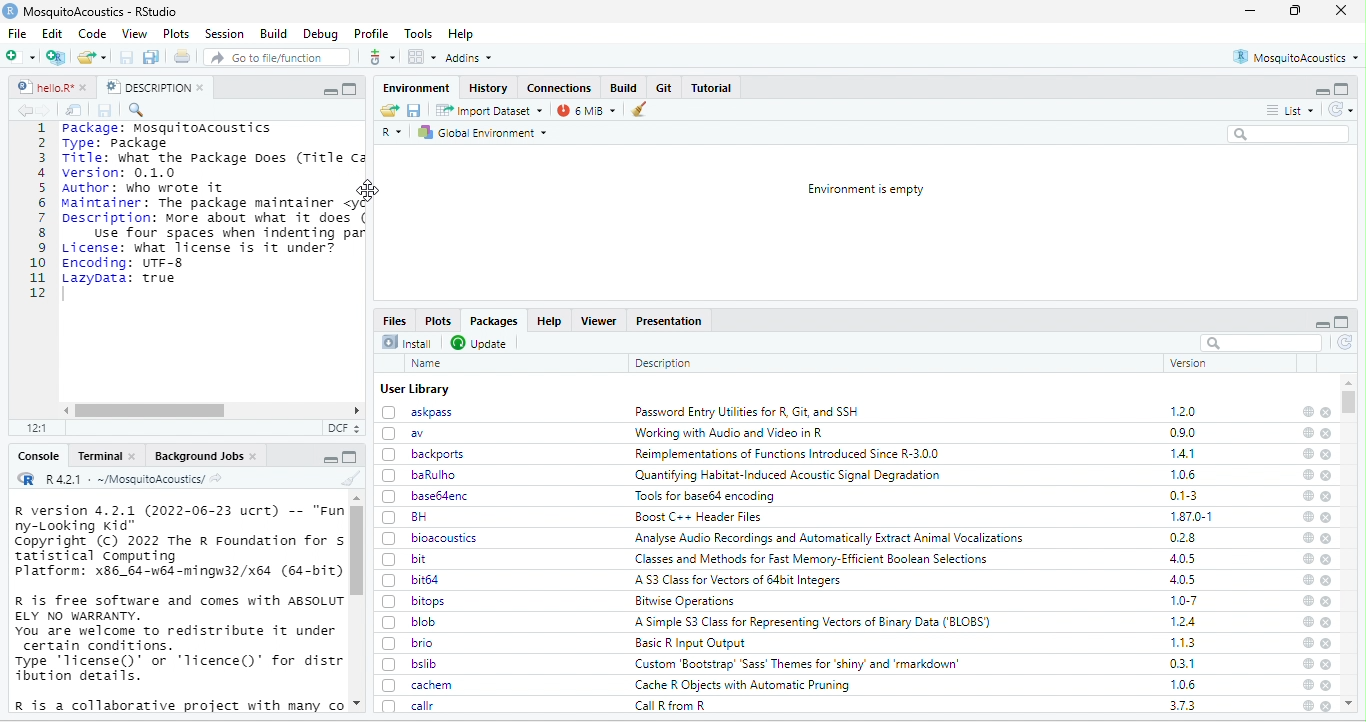 Image resolution: width=1366 pixels, height=722 pixels. I want to click on scroll up, so click(1350, 382).